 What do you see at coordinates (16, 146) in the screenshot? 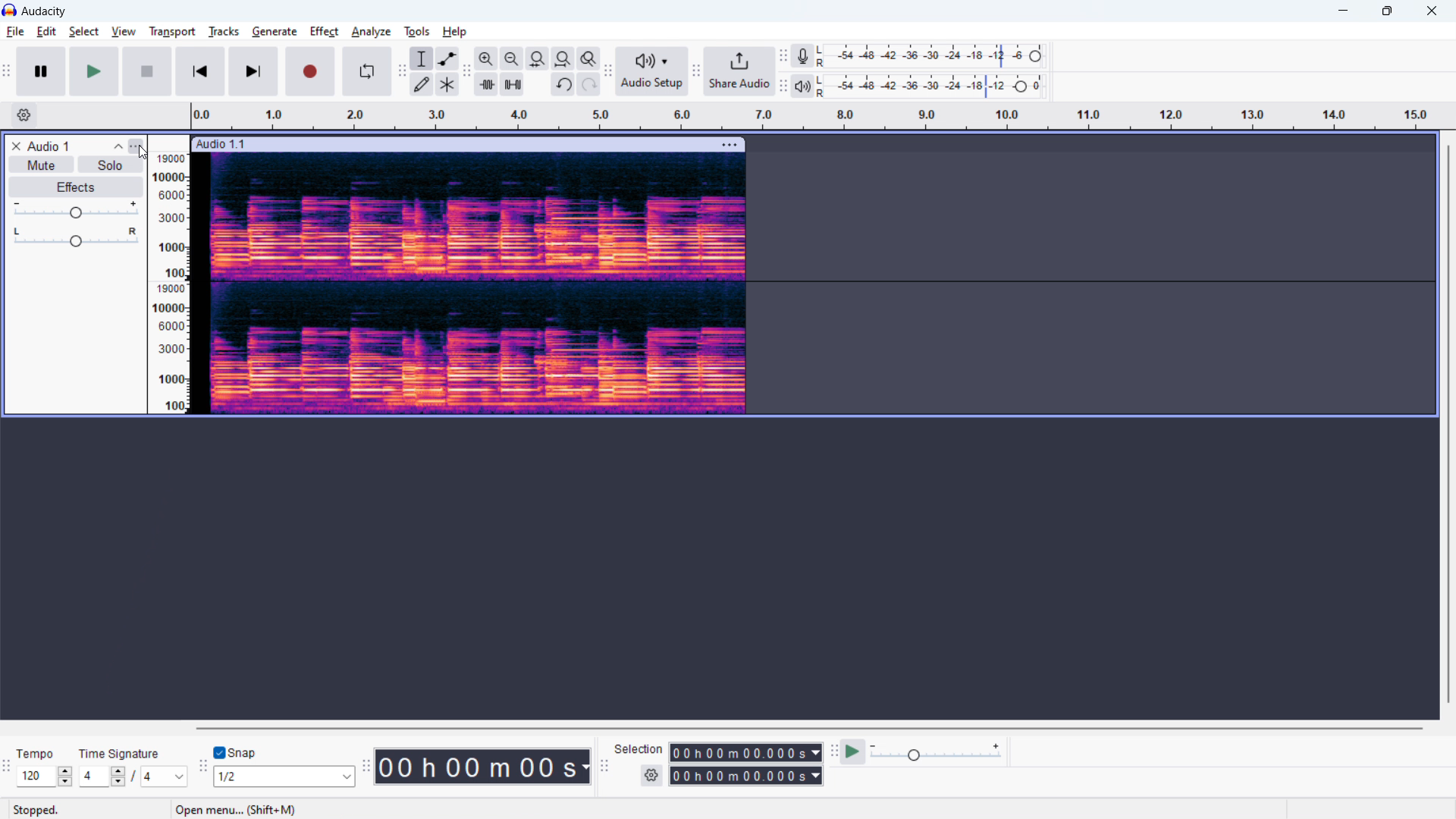
I see `remove track` at bounding box center [16, 146].